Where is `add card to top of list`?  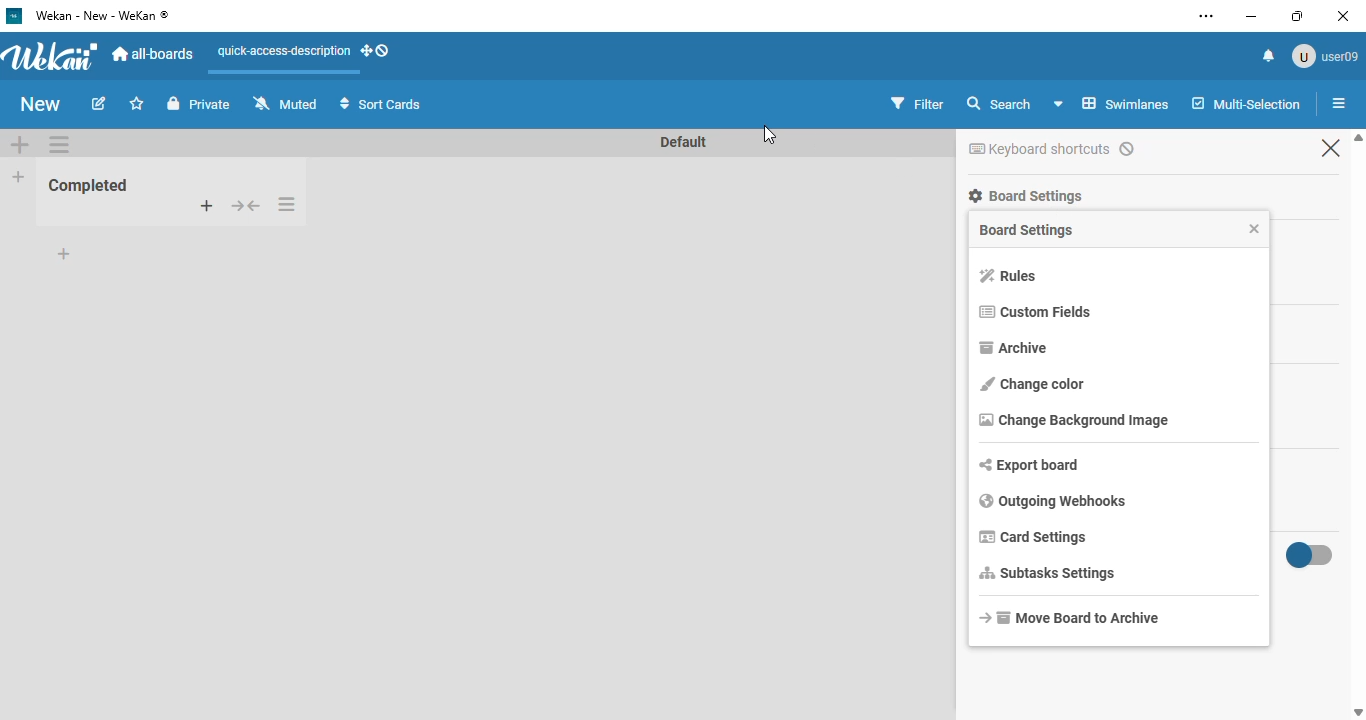 add card to top of list is located at coordinates (207, 206).